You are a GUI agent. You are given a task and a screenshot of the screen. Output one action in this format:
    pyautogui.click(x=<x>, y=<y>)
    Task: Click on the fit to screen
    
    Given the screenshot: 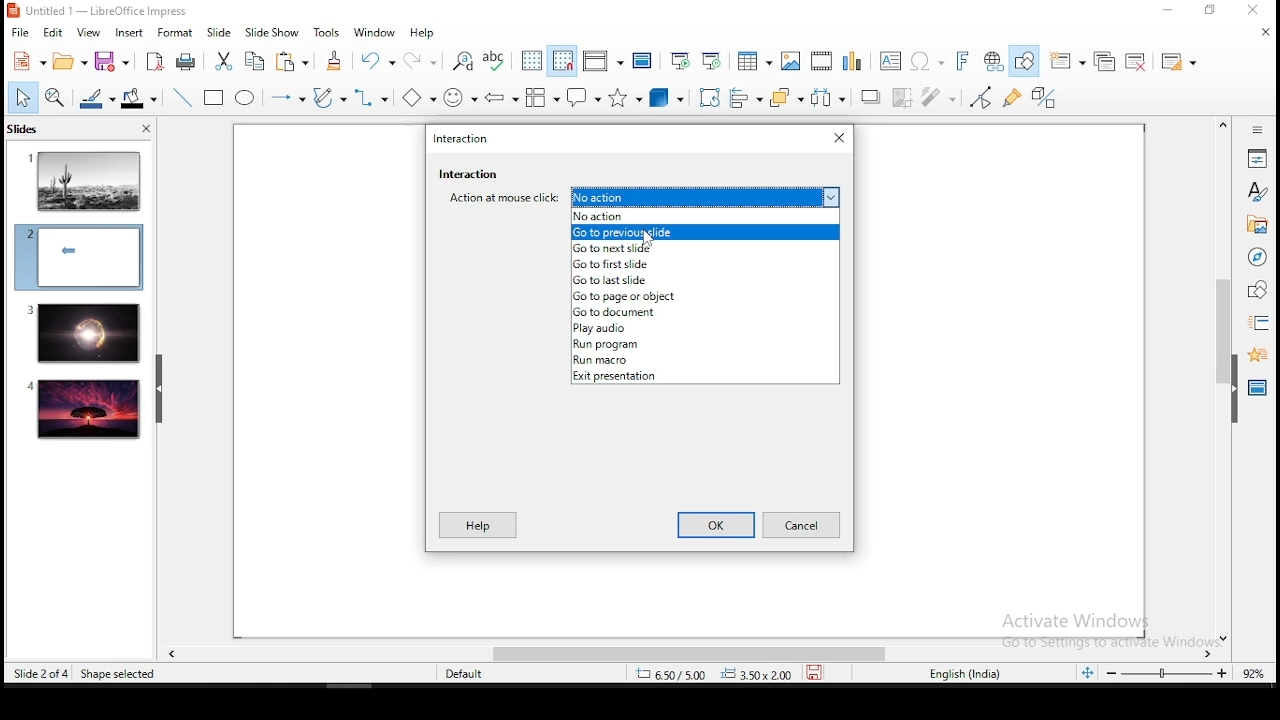 What is the action you would take?
    pyautogui.click(x=1087, y=674)
    